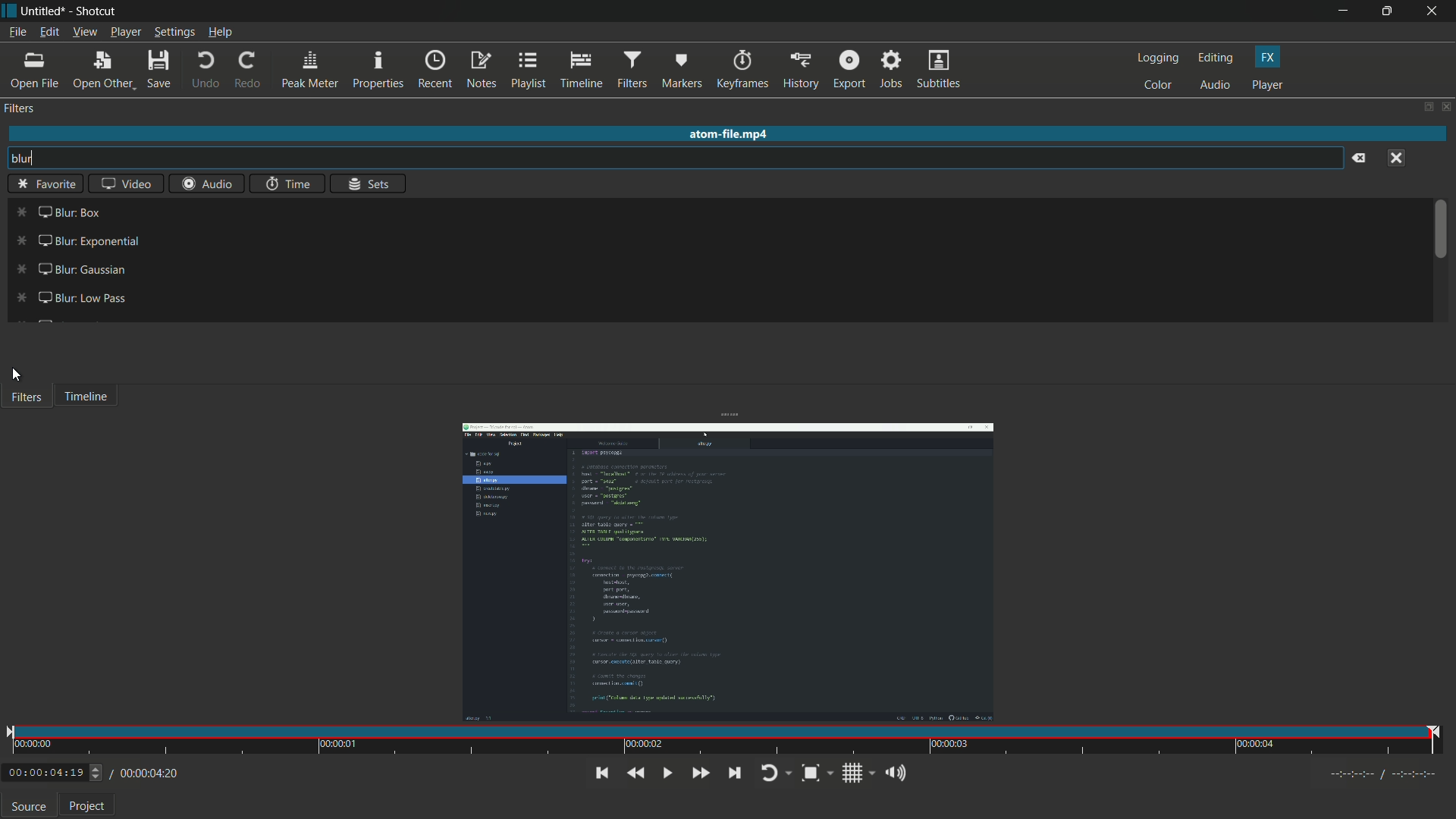  What do you see at coordinates (83, 33) in the screenshot?
I see `view menu` at bounding box center [83, 33].